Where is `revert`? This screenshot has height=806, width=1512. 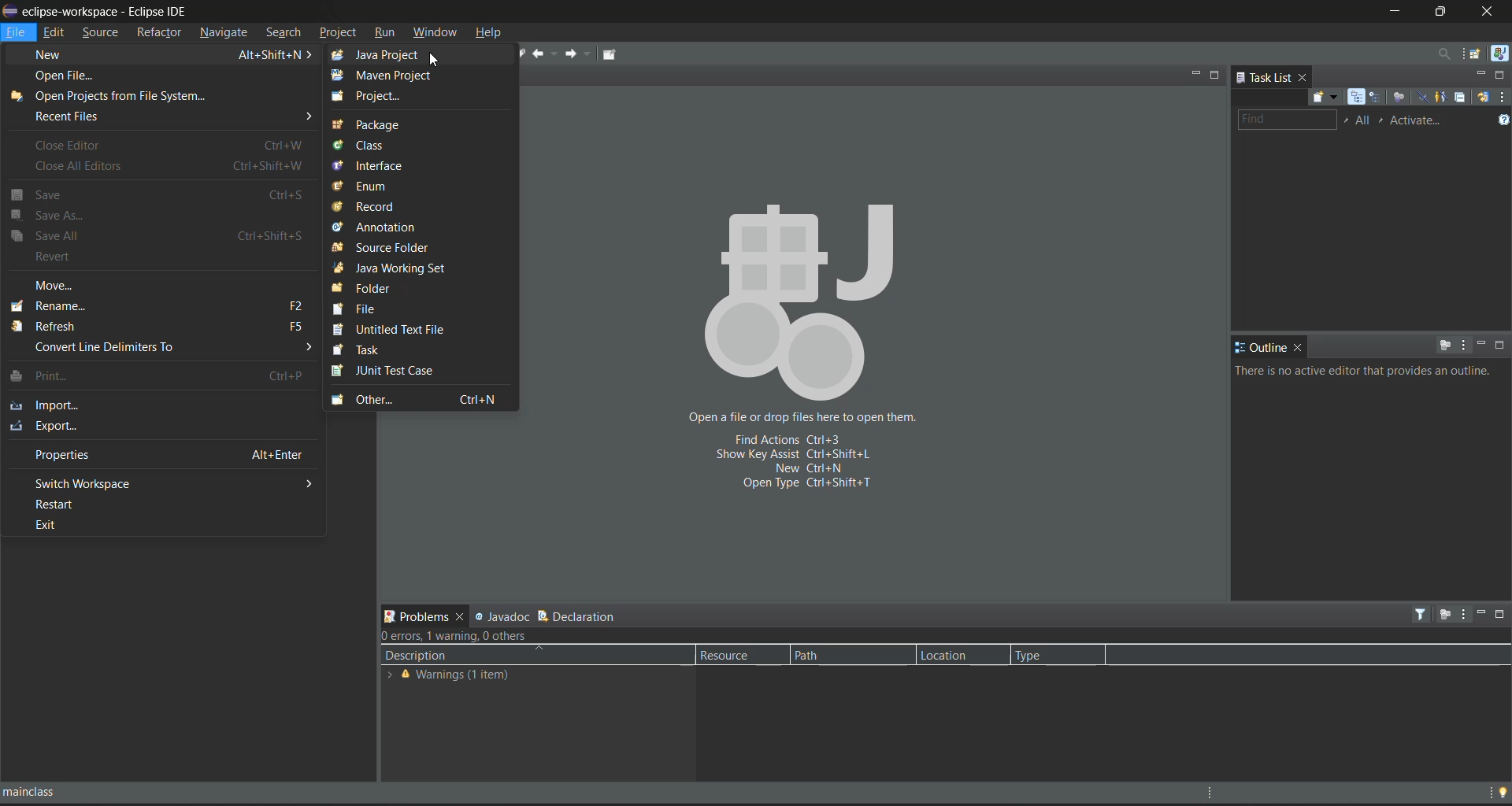
revert is located at coordinates (83, 258).